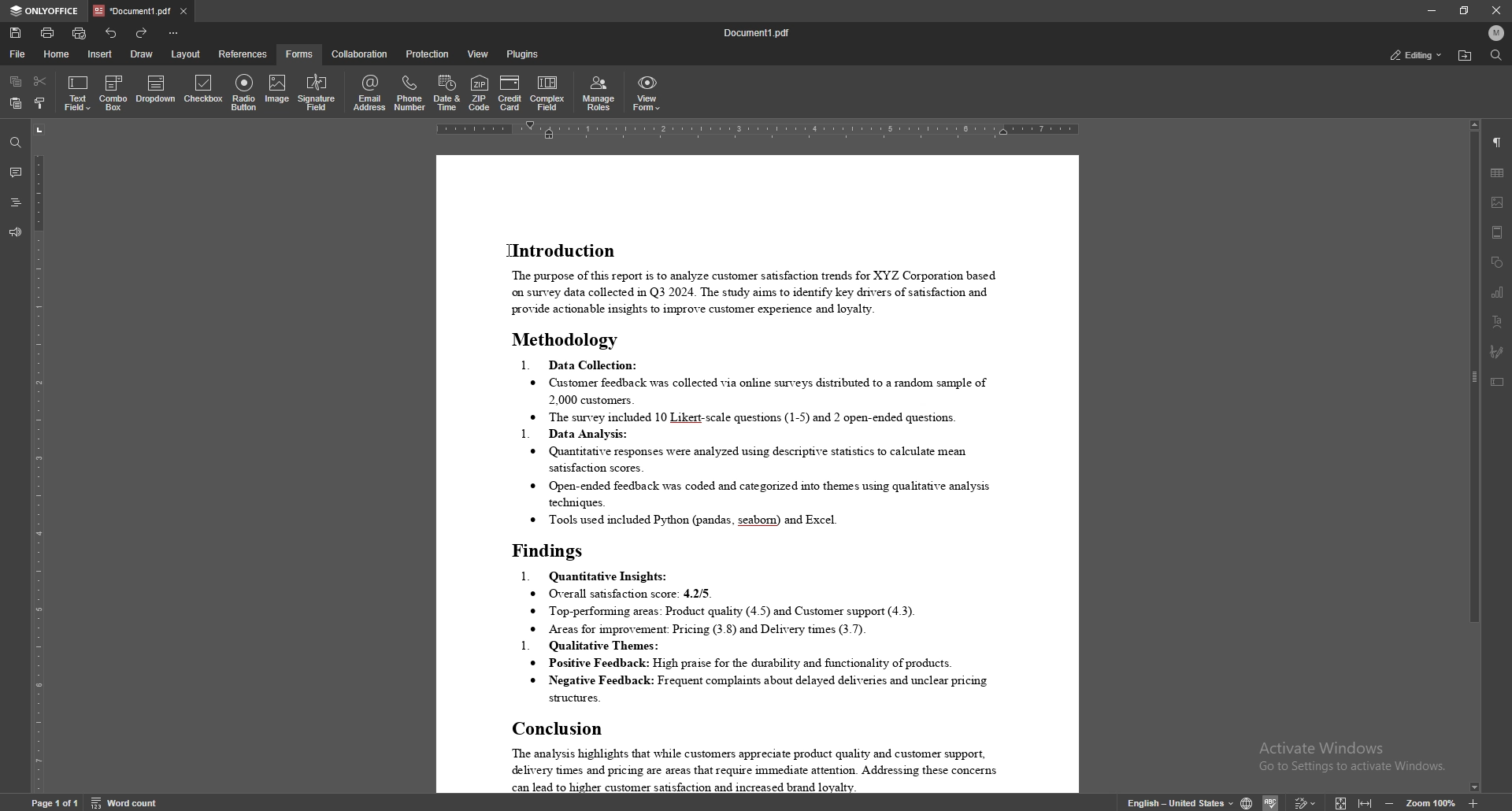 Image resolution: width=1512 pixels, height=811 pixels. I want to click on text box, so click(1496, 382).